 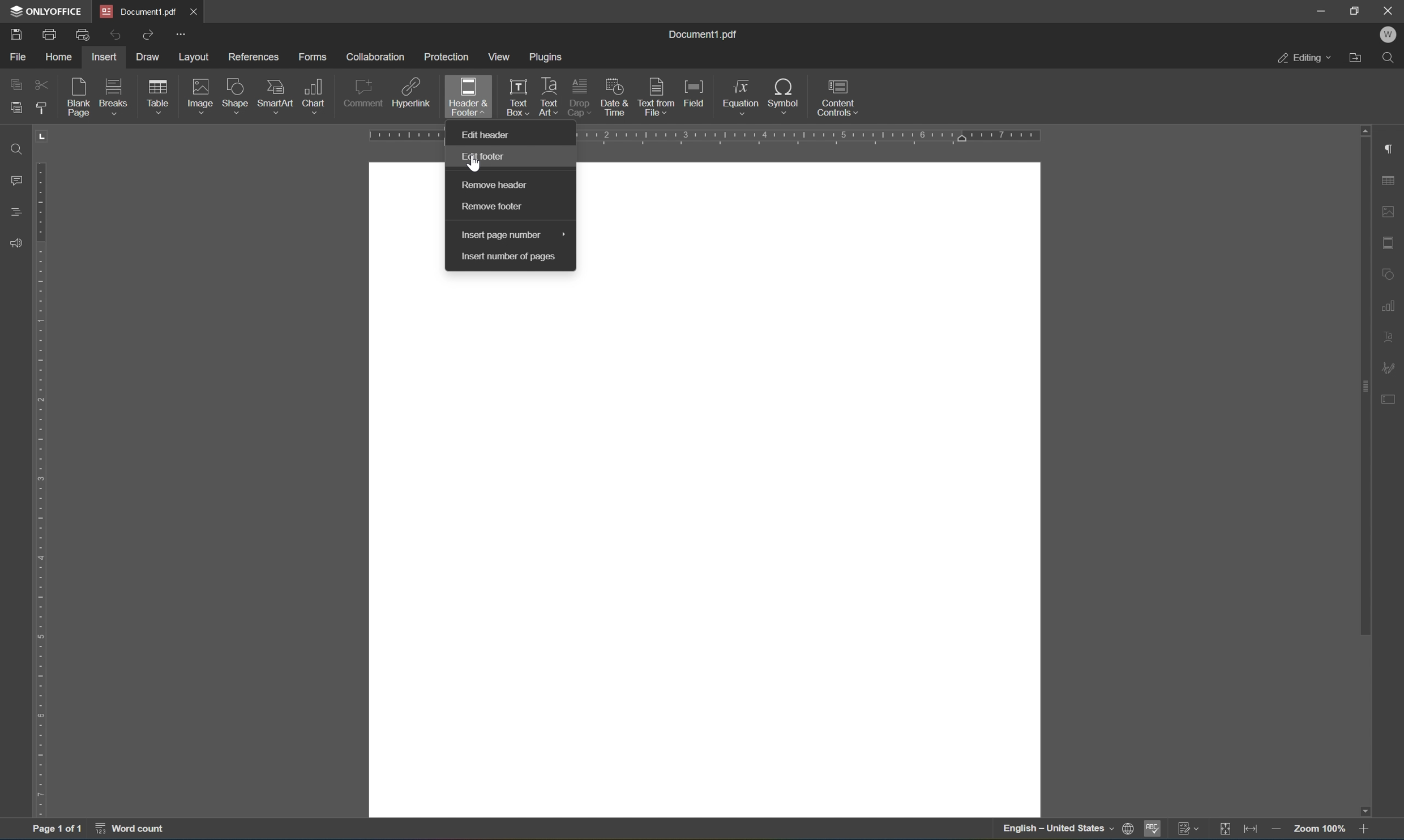 I want to click on editing, so click(x=1304, y=57).